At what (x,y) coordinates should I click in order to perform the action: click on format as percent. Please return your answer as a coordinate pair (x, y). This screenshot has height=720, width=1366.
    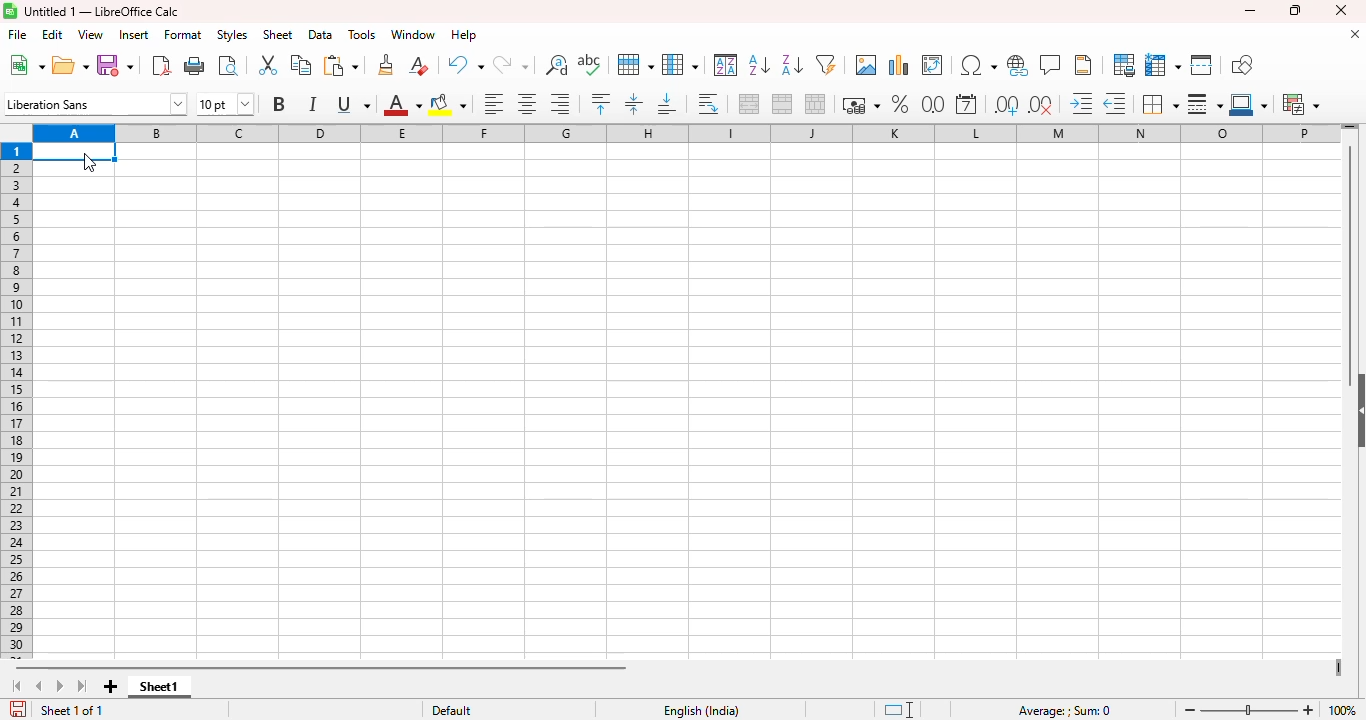
    Looking at the image, I should click on (899, 104).